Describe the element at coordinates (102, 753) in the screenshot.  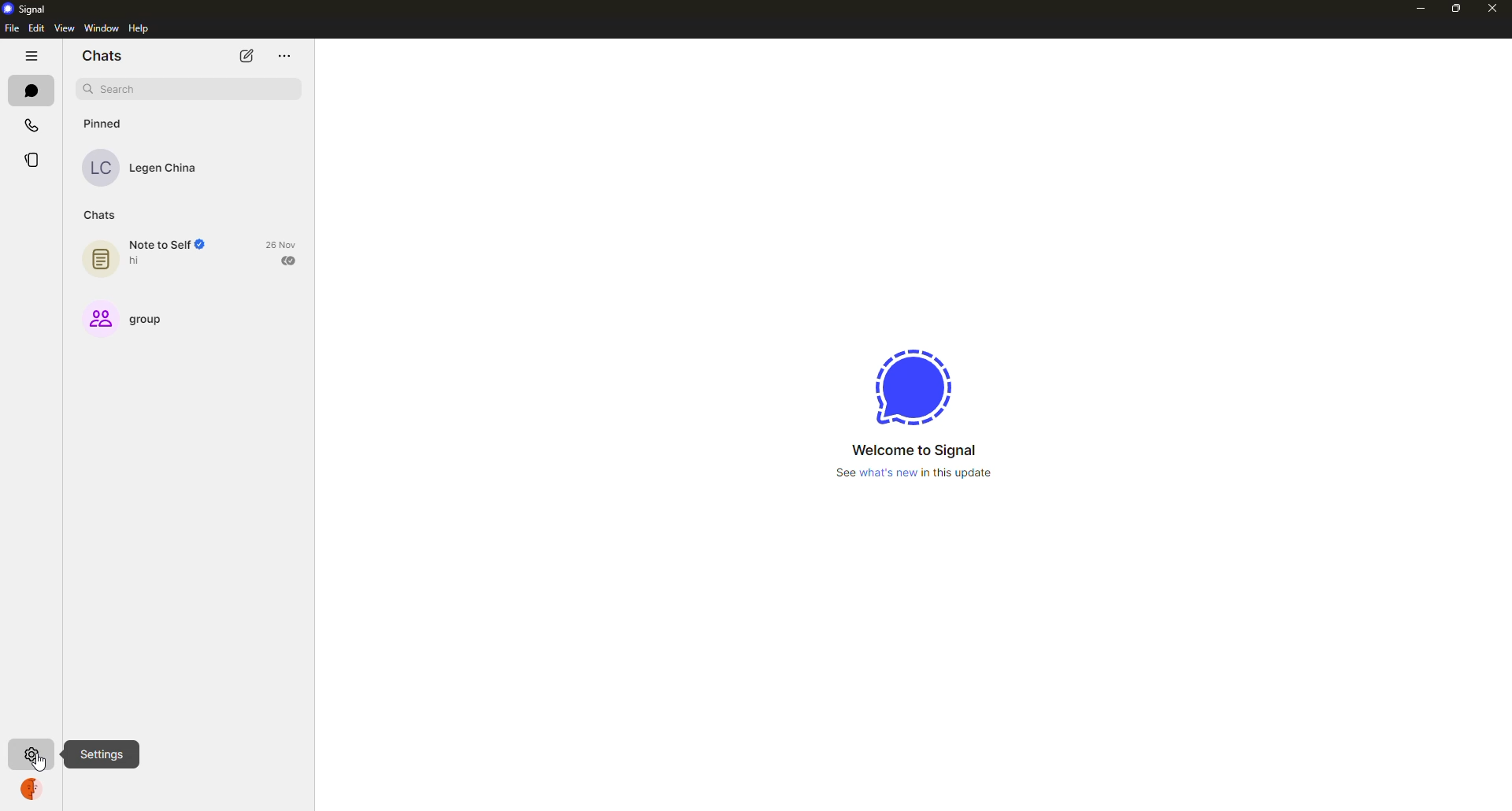
I see `settings` at that location.